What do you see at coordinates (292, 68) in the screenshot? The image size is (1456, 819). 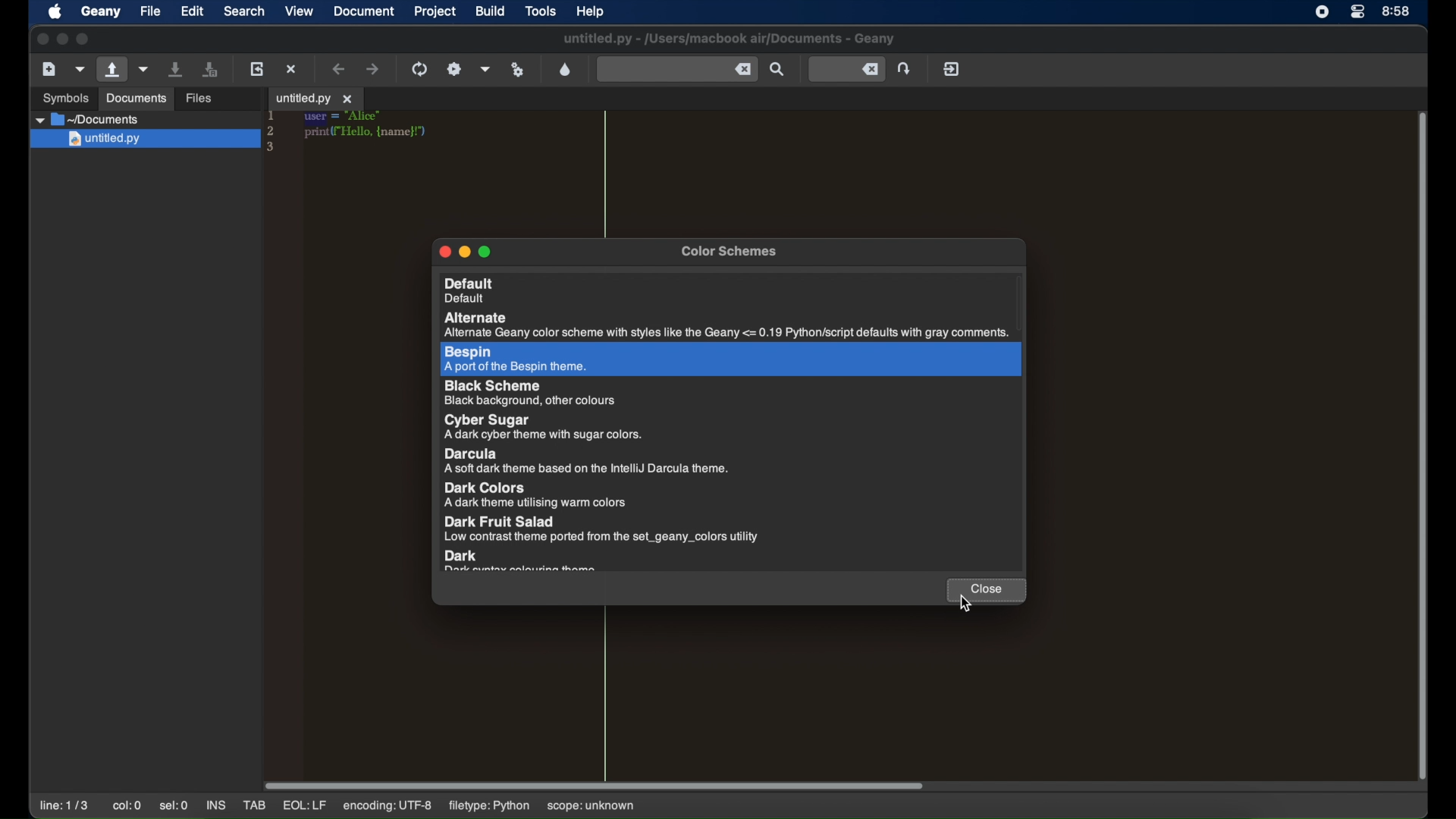 I see `close the current file` at bounding box center [292, 68].